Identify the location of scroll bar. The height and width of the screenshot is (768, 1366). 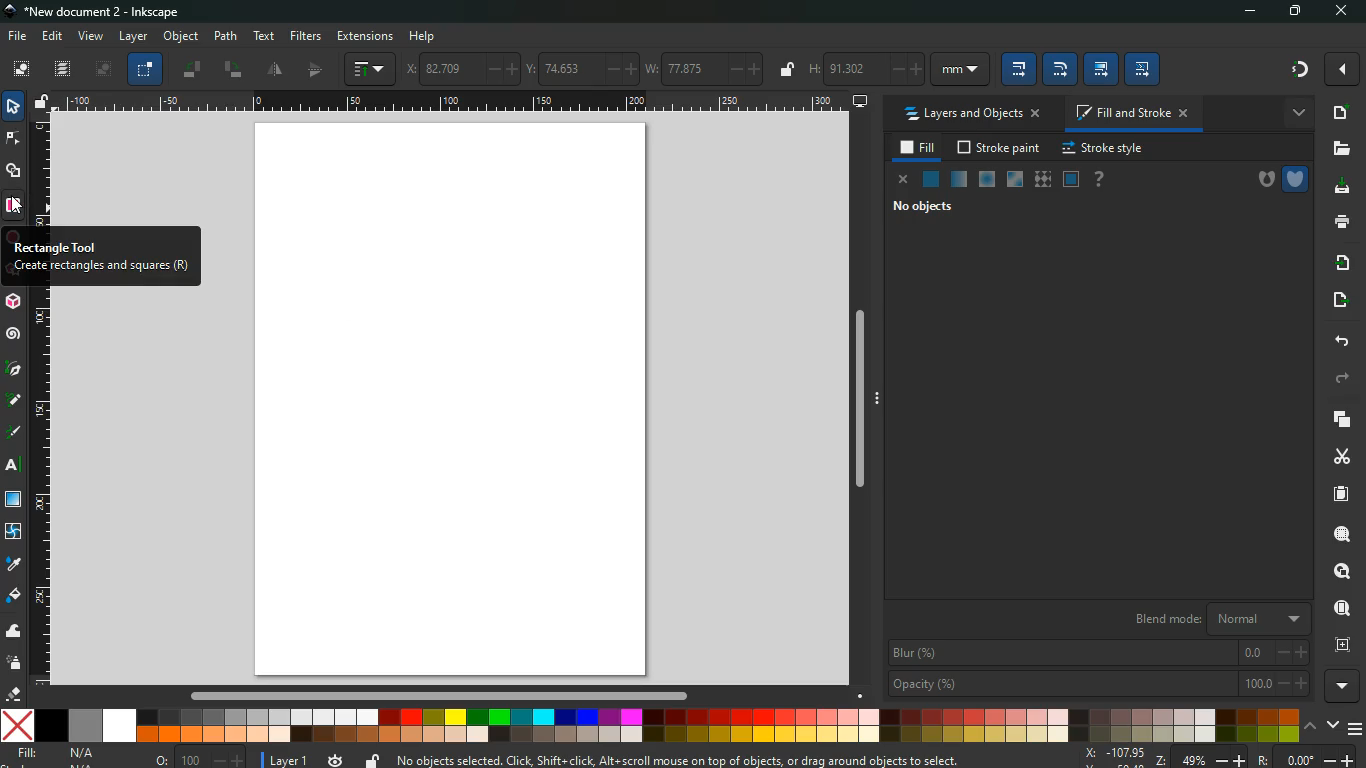
(434, 696).